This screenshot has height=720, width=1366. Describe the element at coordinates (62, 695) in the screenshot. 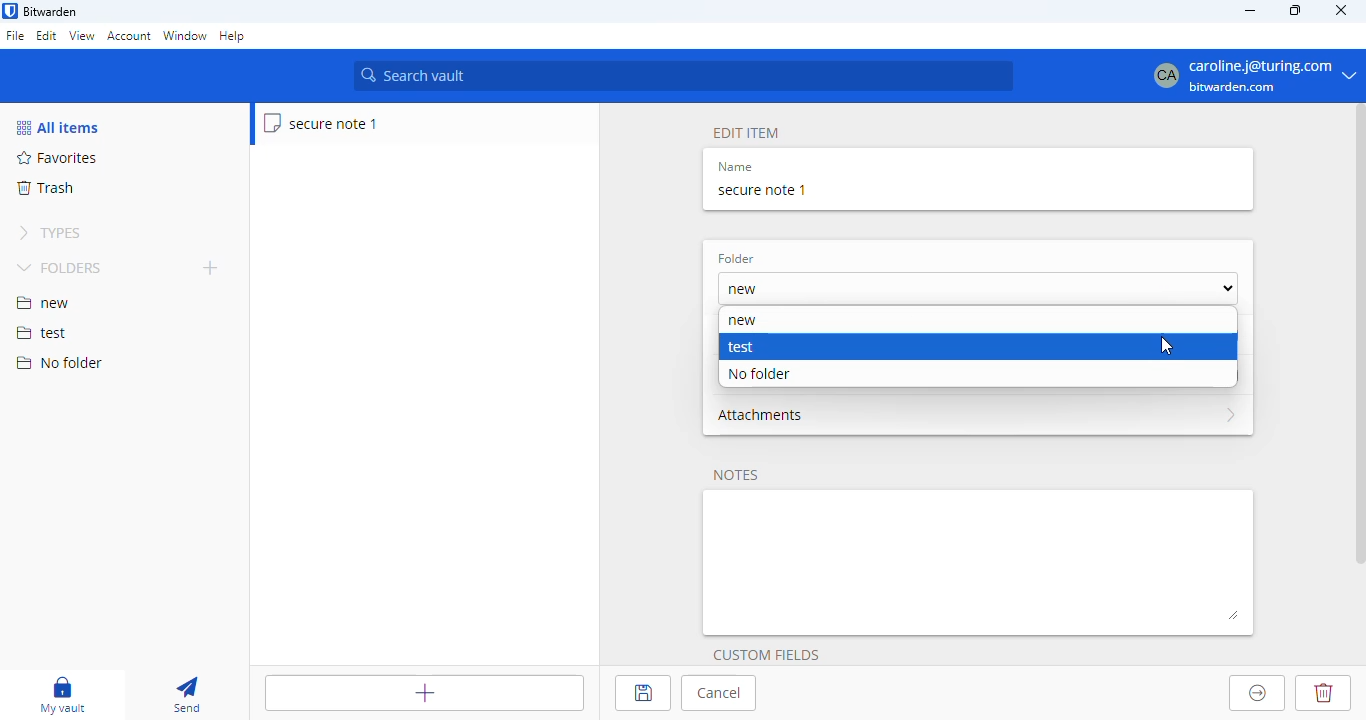

I see `my vault` at that location.